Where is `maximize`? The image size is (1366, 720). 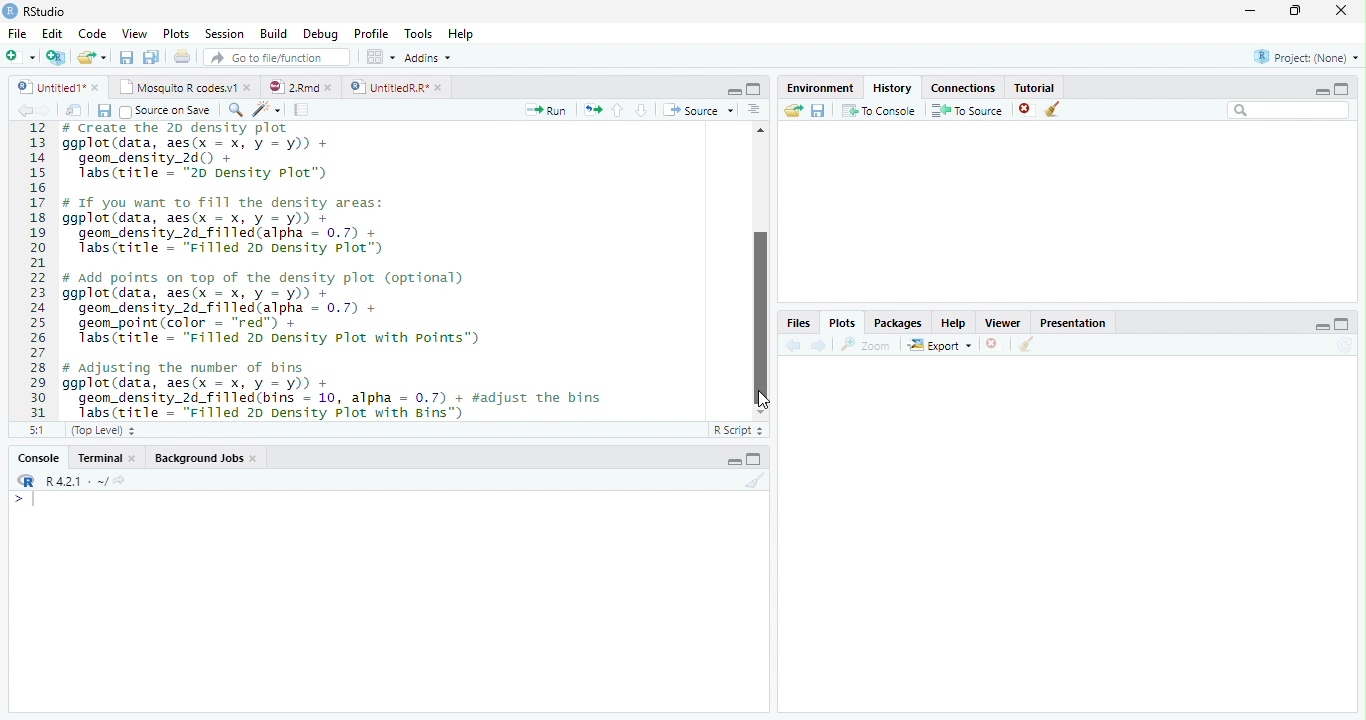
maximize is located at coordinates (754, 88).